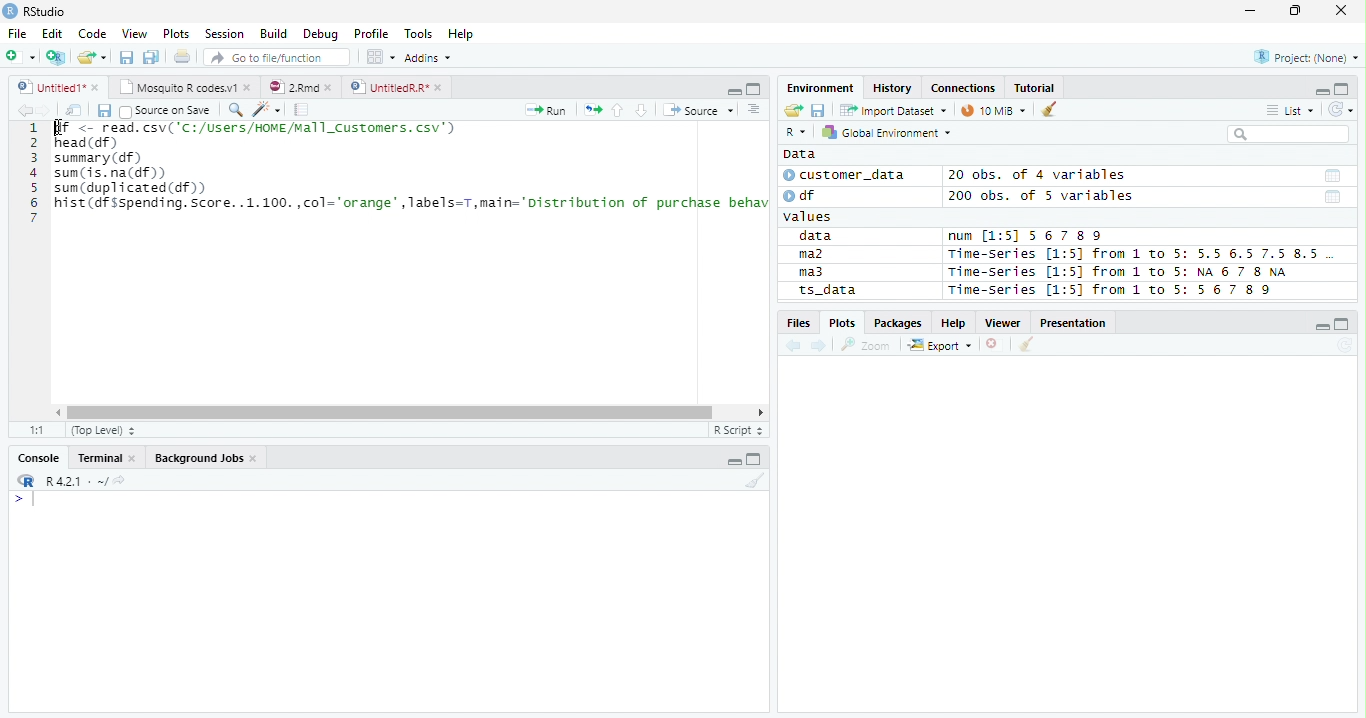 This screenshot has width=1366, height=718. Describe the element at coordinates (75, 480) in the screenshot. I see `R 4.2.1 ~/` at that location.